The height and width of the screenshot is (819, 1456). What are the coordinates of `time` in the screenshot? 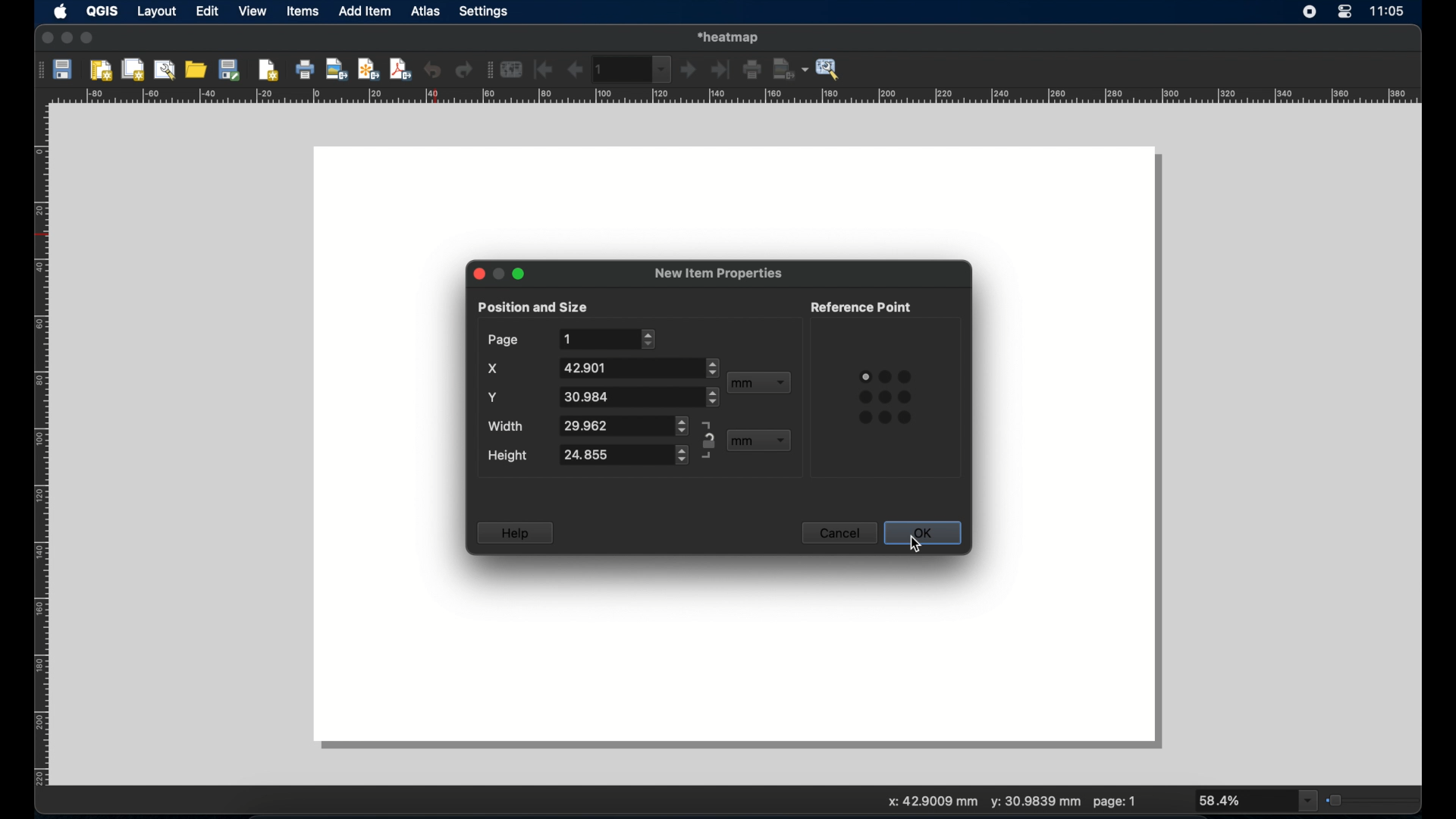 It's located at (1390, 12).